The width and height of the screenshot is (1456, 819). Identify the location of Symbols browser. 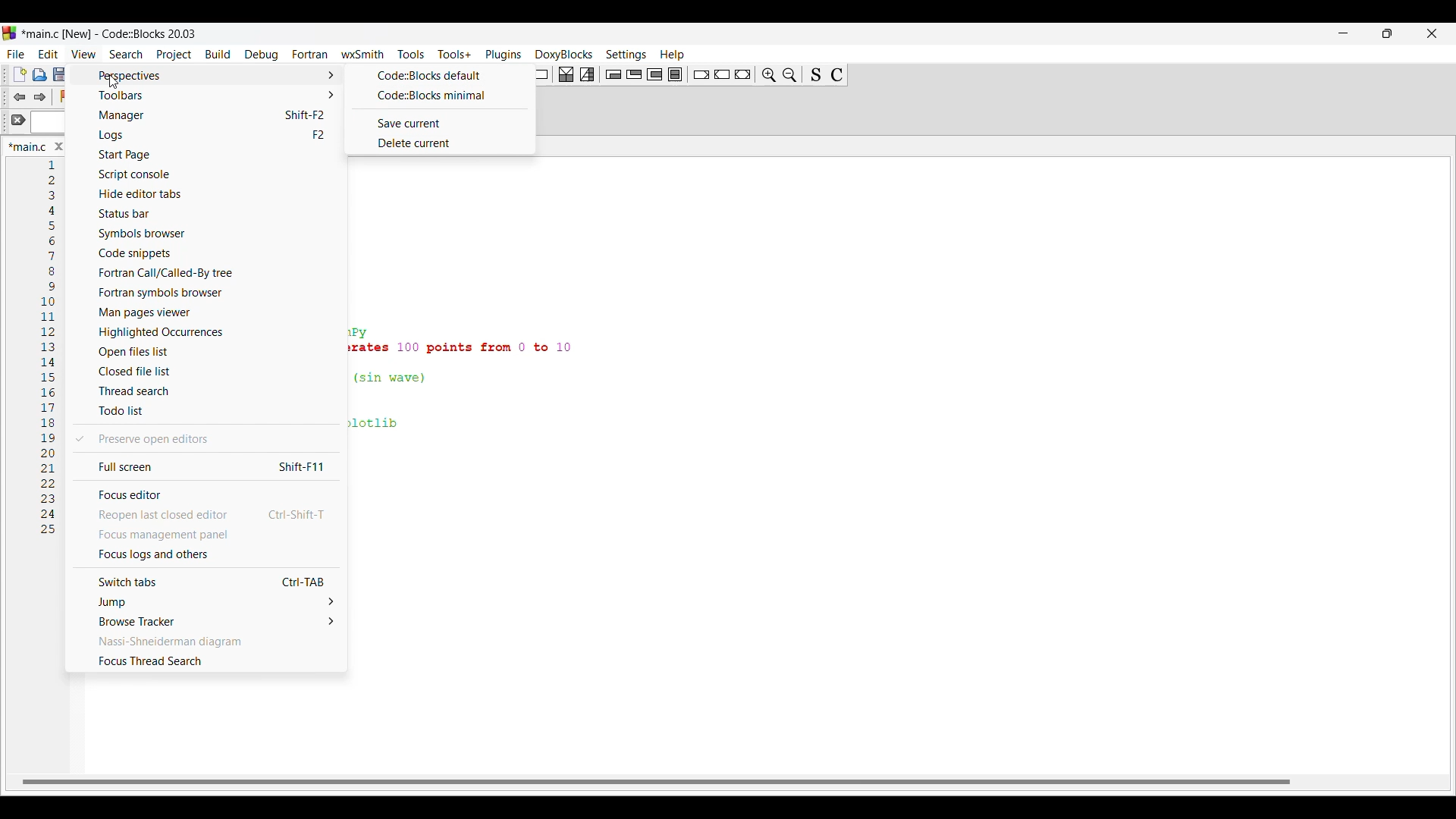
(210, 234).